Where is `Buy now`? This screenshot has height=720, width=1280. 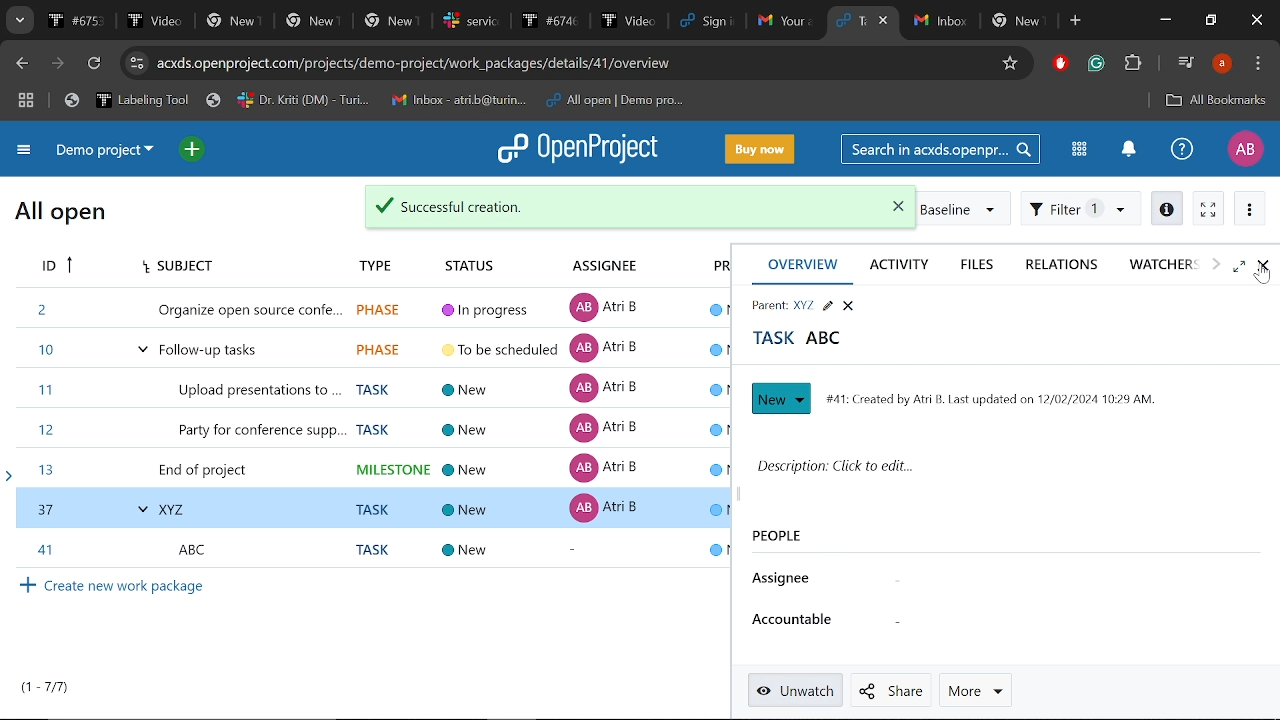 Buy now is located at coordinates (760, 148).